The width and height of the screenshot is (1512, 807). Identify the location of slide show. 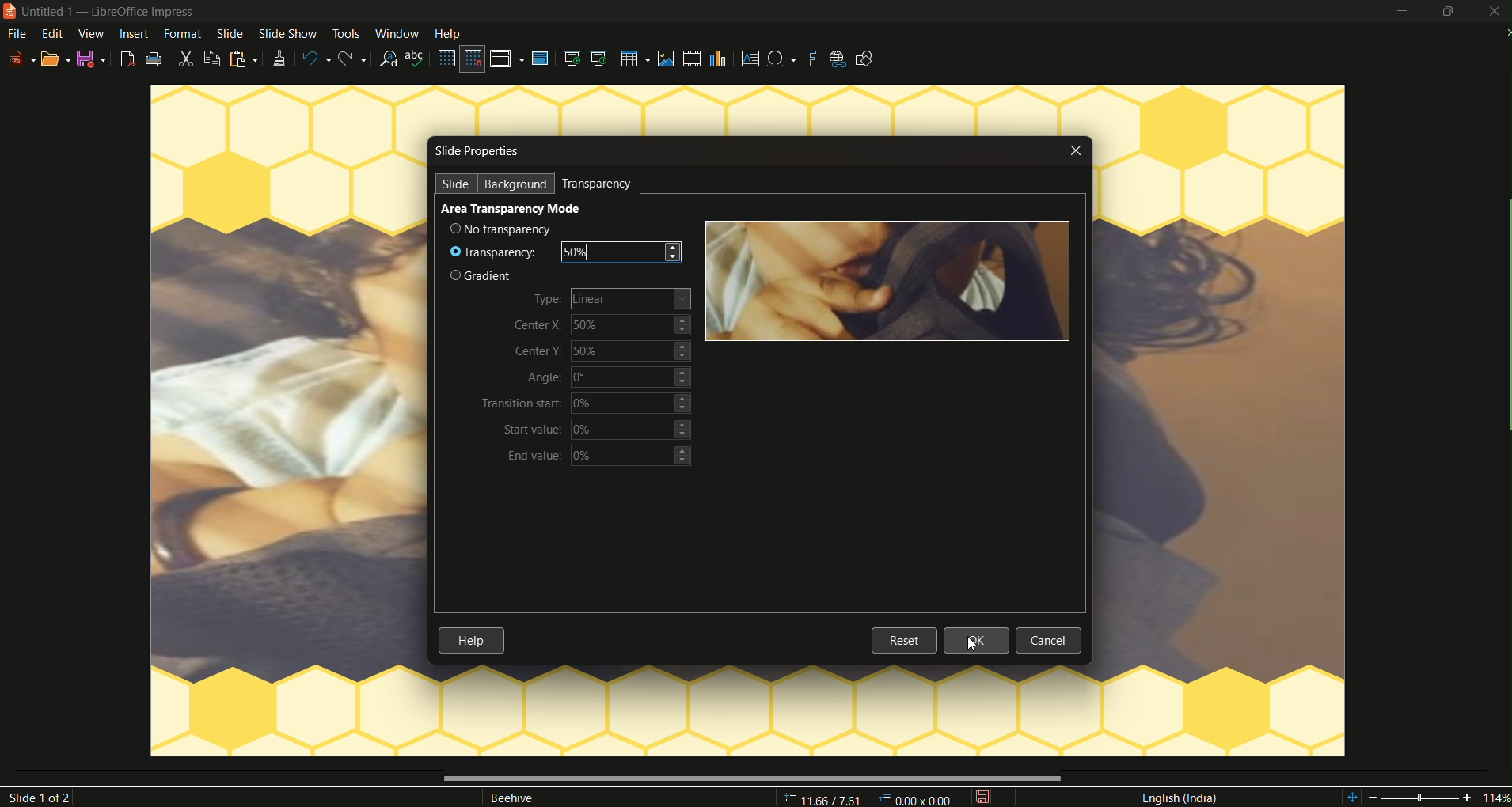
(287, 34).